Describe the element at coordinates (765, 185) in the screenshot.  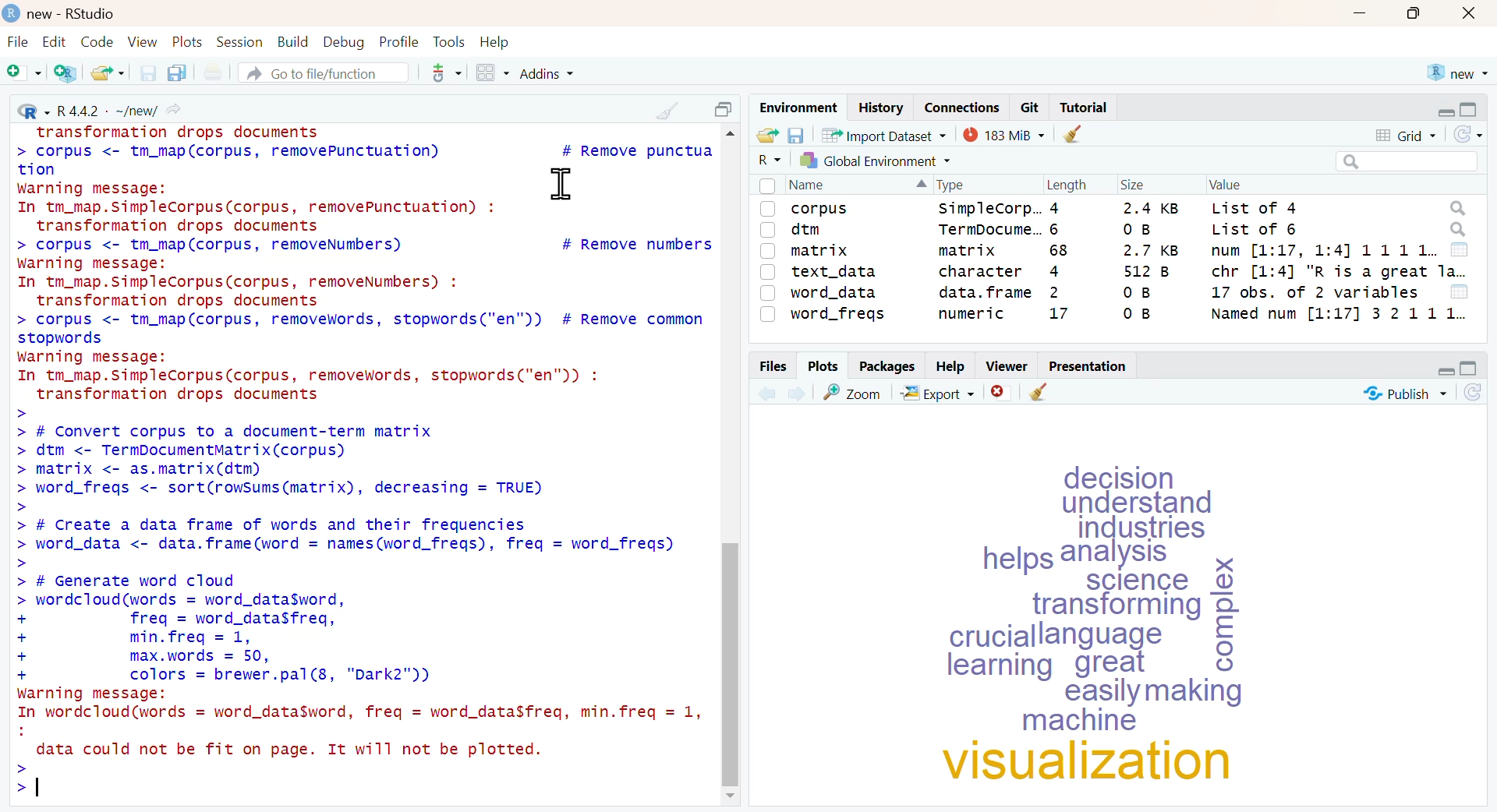
I see `Check box` at that location.